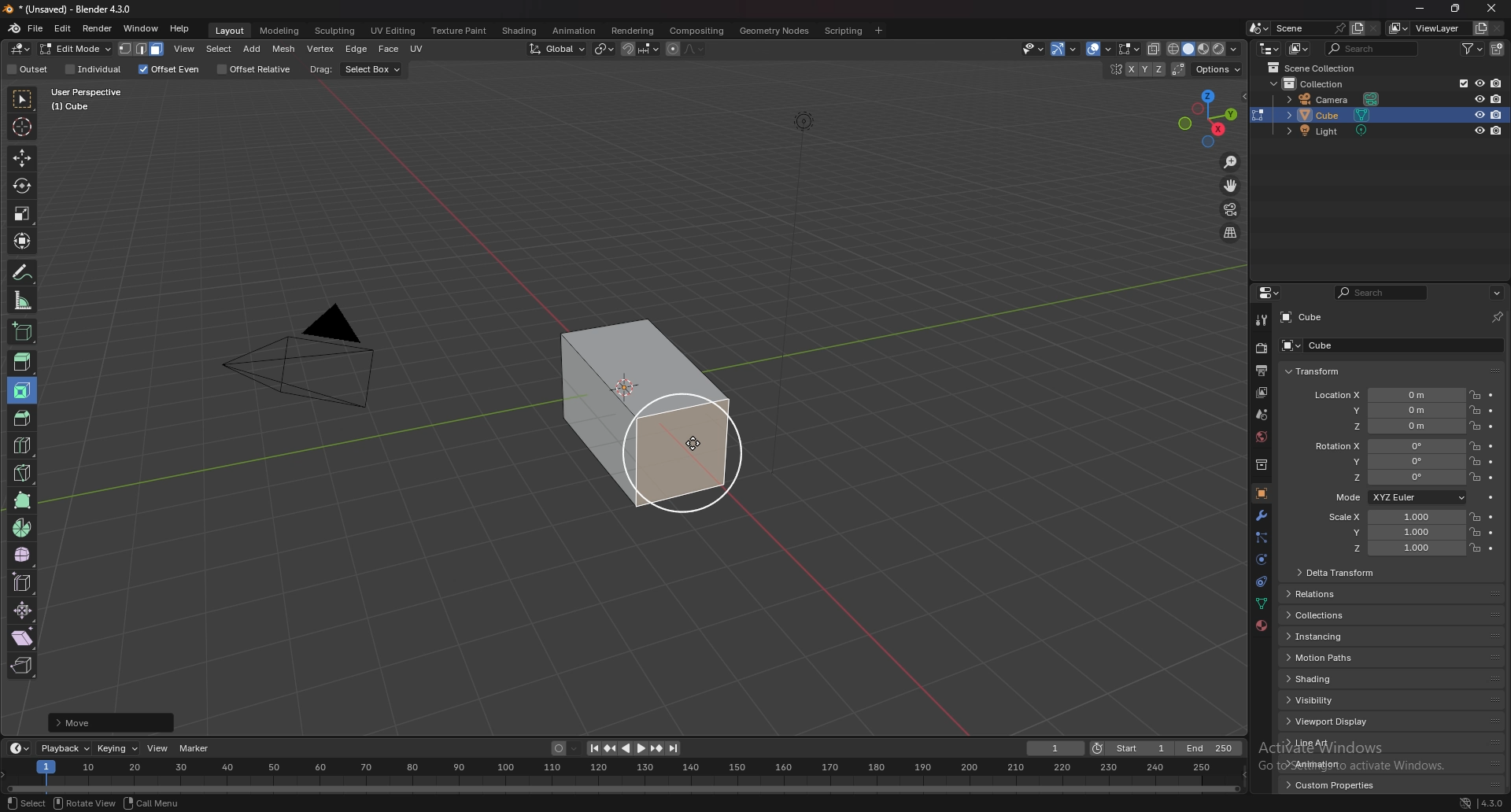 This screenshot has height=812, width=1511. What do you see at coordinates (1134, 69) in the screenshot?
I see `enable mesh symmetry` at bounding box center [1134, 69].